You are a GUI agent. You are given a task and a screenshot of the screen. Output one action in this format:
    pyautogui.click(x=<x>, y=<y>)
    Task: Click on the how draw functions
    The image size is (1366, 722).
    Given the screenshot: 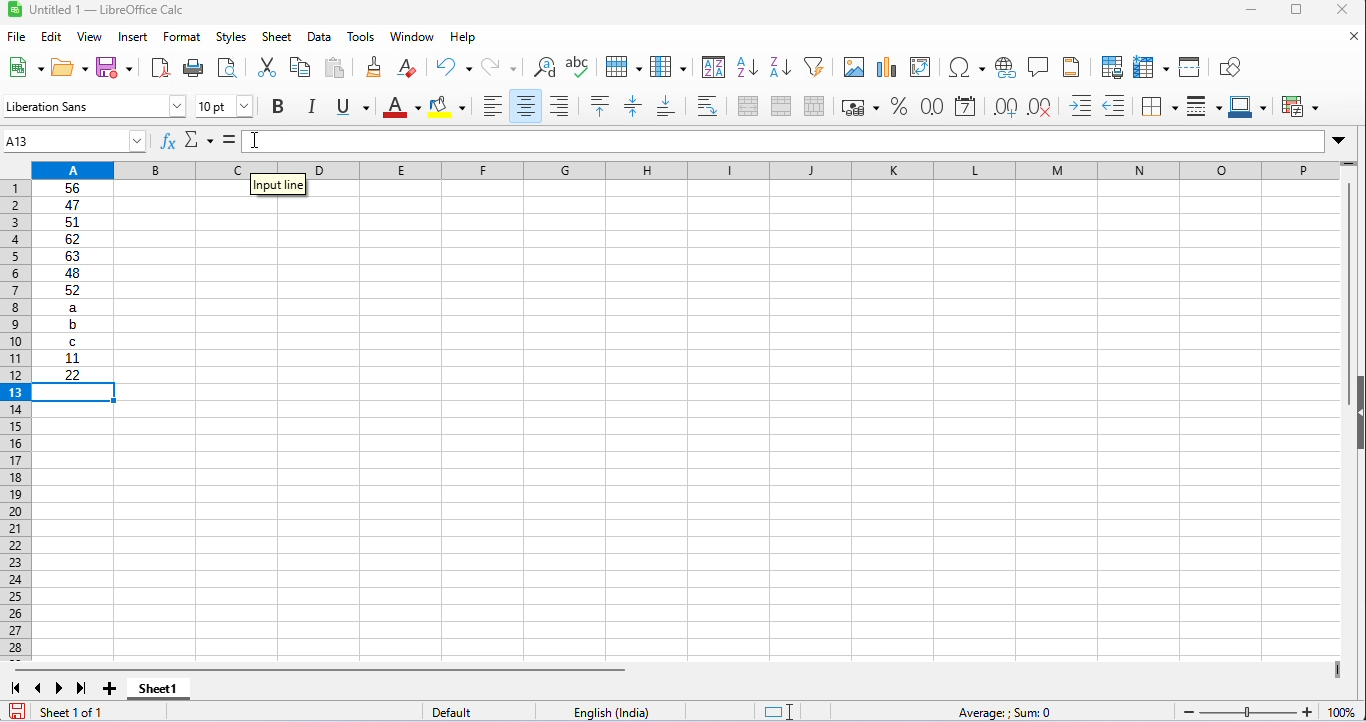 What is the action you would take?
    pyautogui.click(x=1232, y=67)
    